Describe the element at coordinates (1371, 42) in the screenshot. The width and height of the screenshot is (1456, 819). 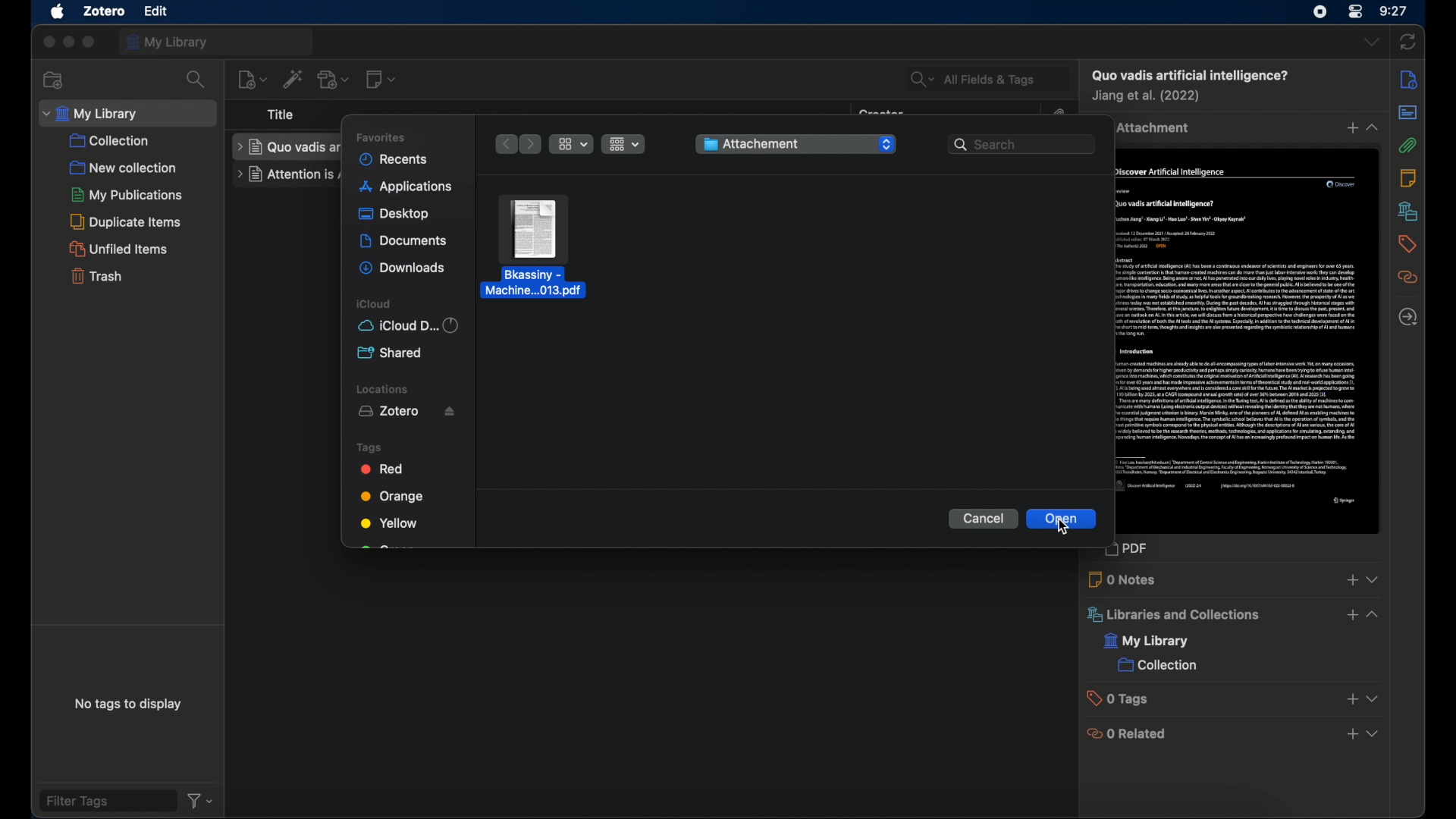
I see `dropdown menu` at that location.